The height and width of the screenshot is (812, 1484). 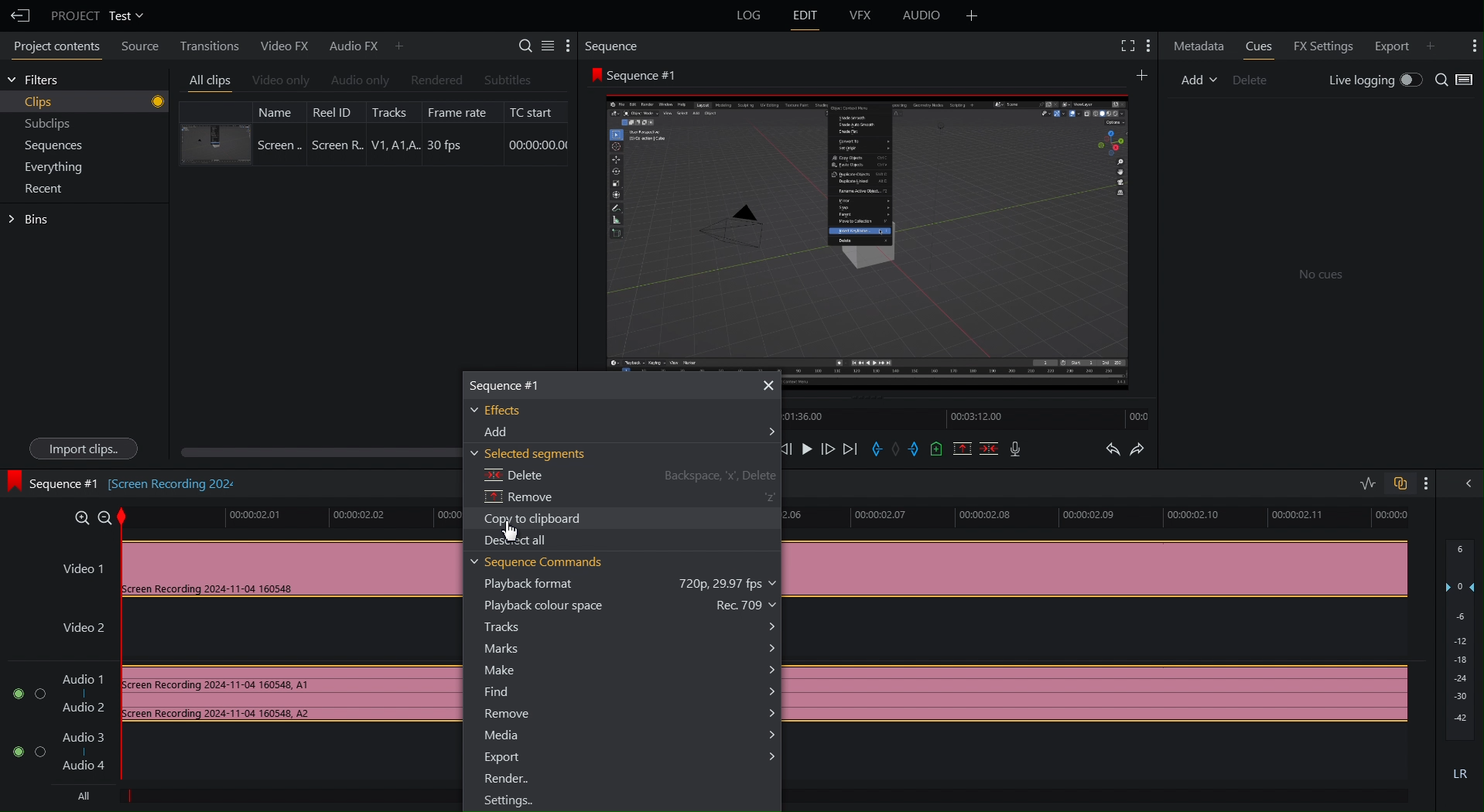 What do you see at coordinates (29, 220) in the screenshot?
I see `Bins` at bounding box center [29, 220].